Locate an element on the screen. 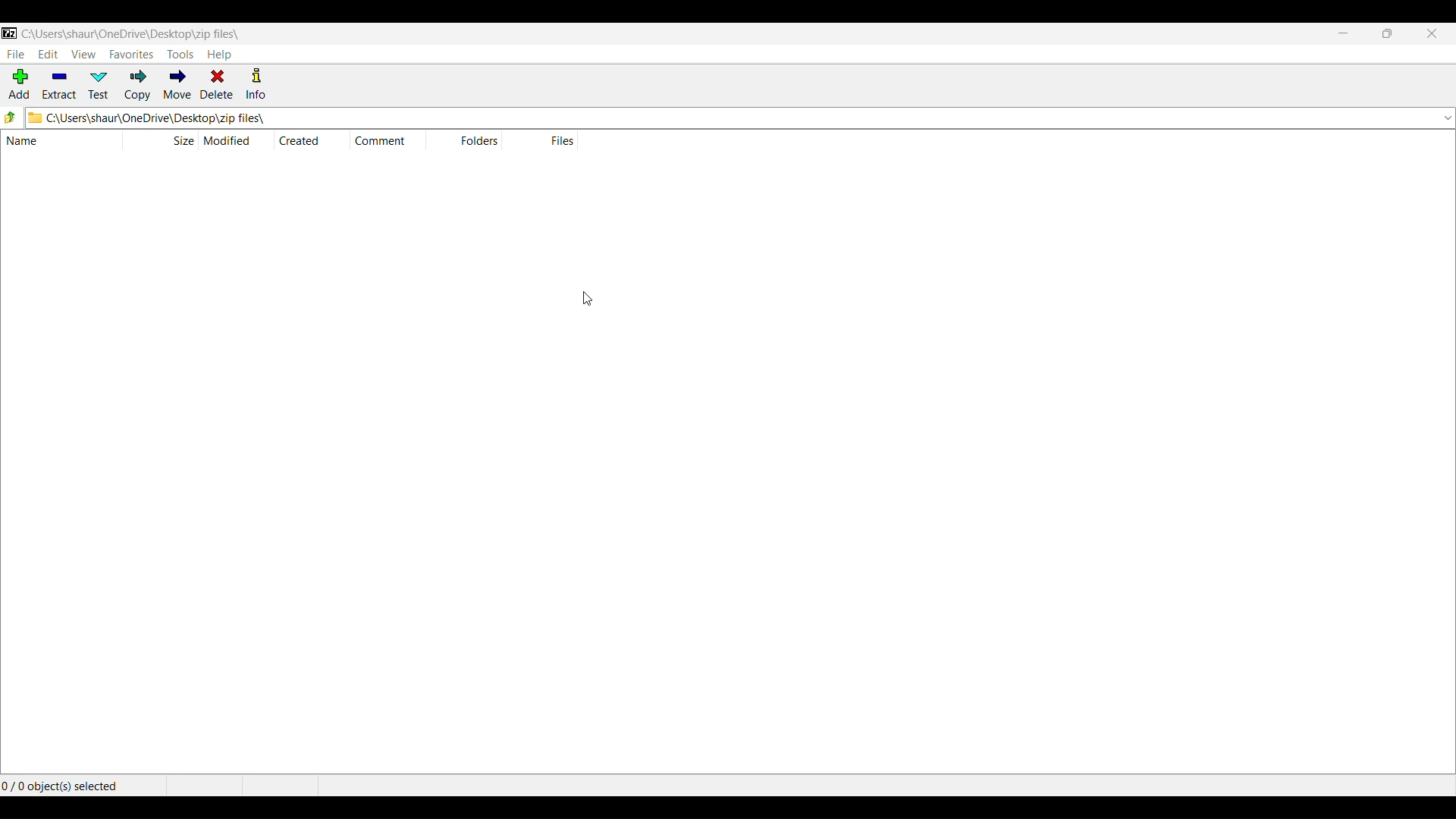 Image resolution: width=1456 pixels, height=819 pixels. CURSOR is located at coordinates (588, 300).